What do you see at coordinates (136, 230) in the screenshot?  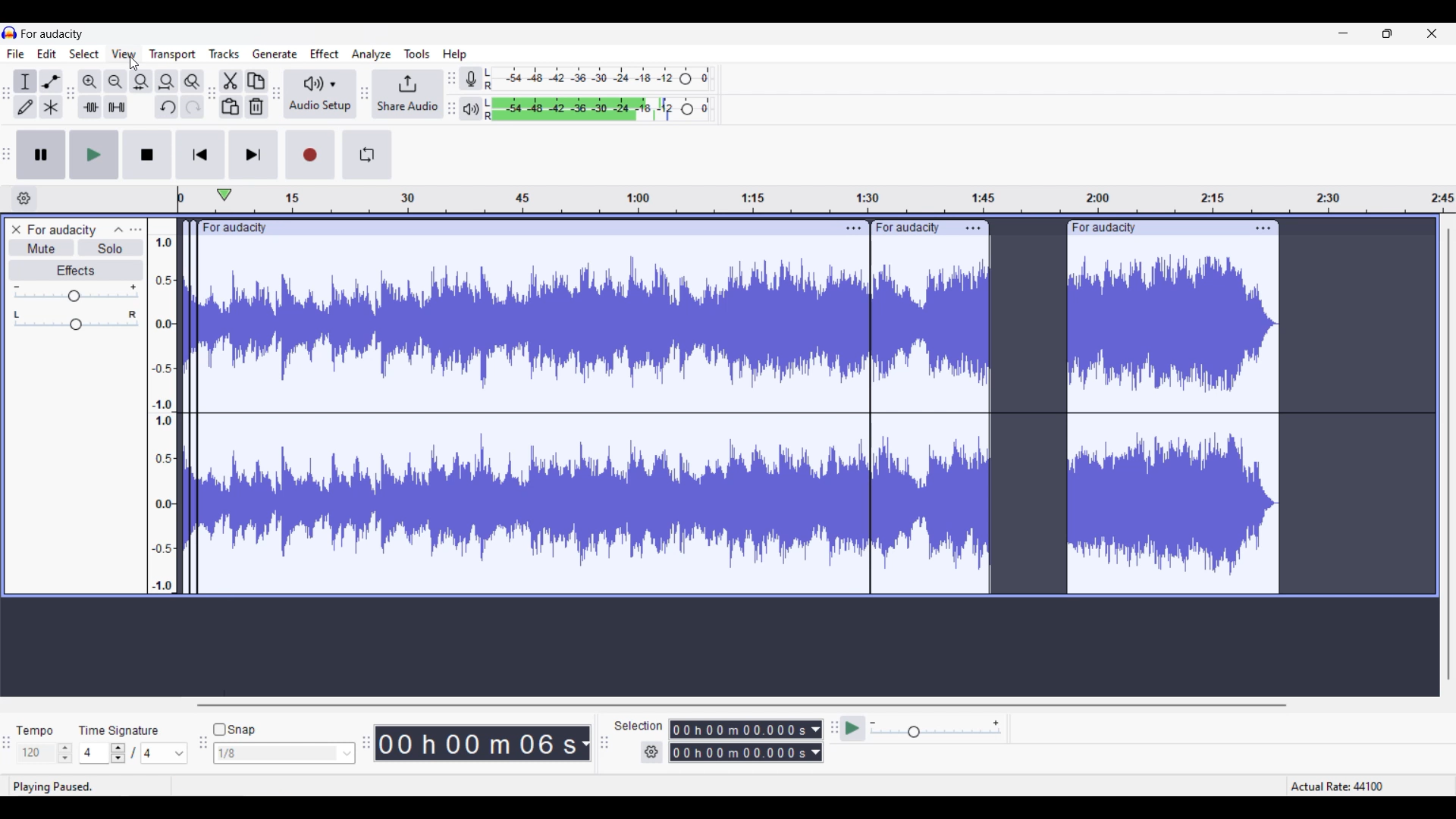 I see `Open menu` at bounding box center [136, 230].